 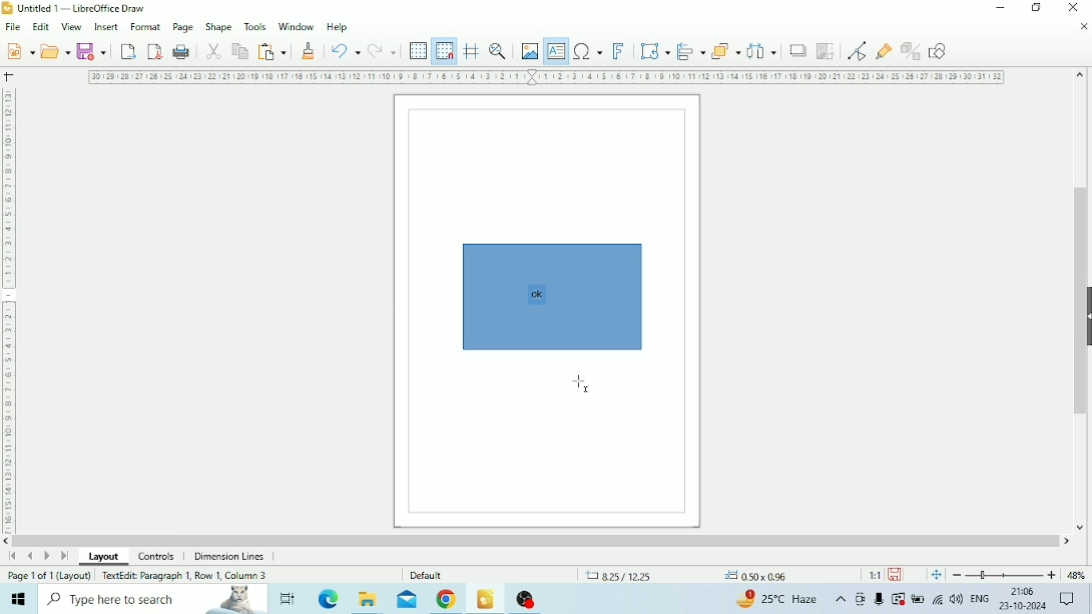 I want to click on Save, so click(x=92, y=52).